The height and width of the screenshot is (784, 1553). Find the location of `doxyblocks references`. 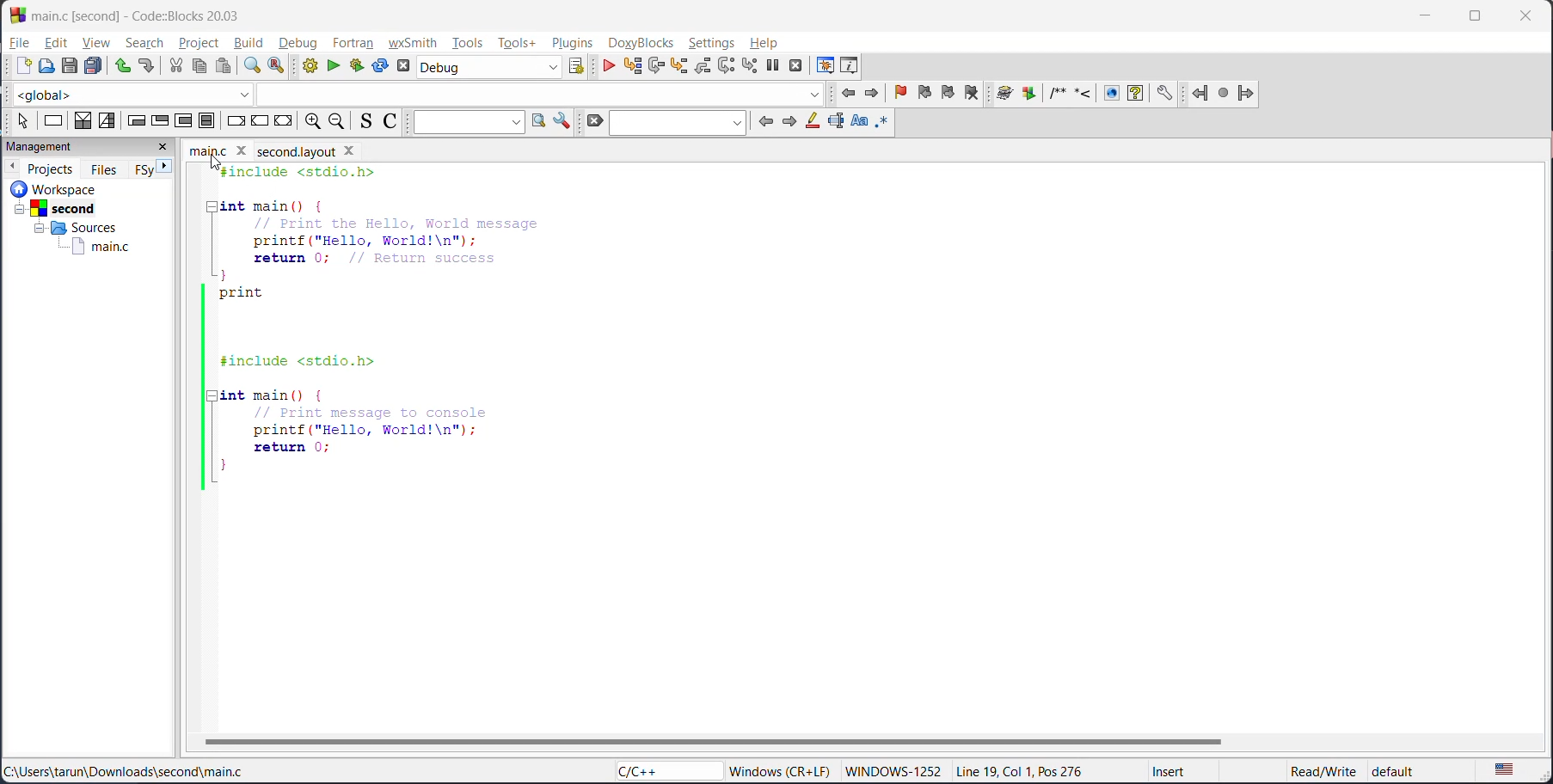

doxyblocks references is located at coordinates (1091, 91).